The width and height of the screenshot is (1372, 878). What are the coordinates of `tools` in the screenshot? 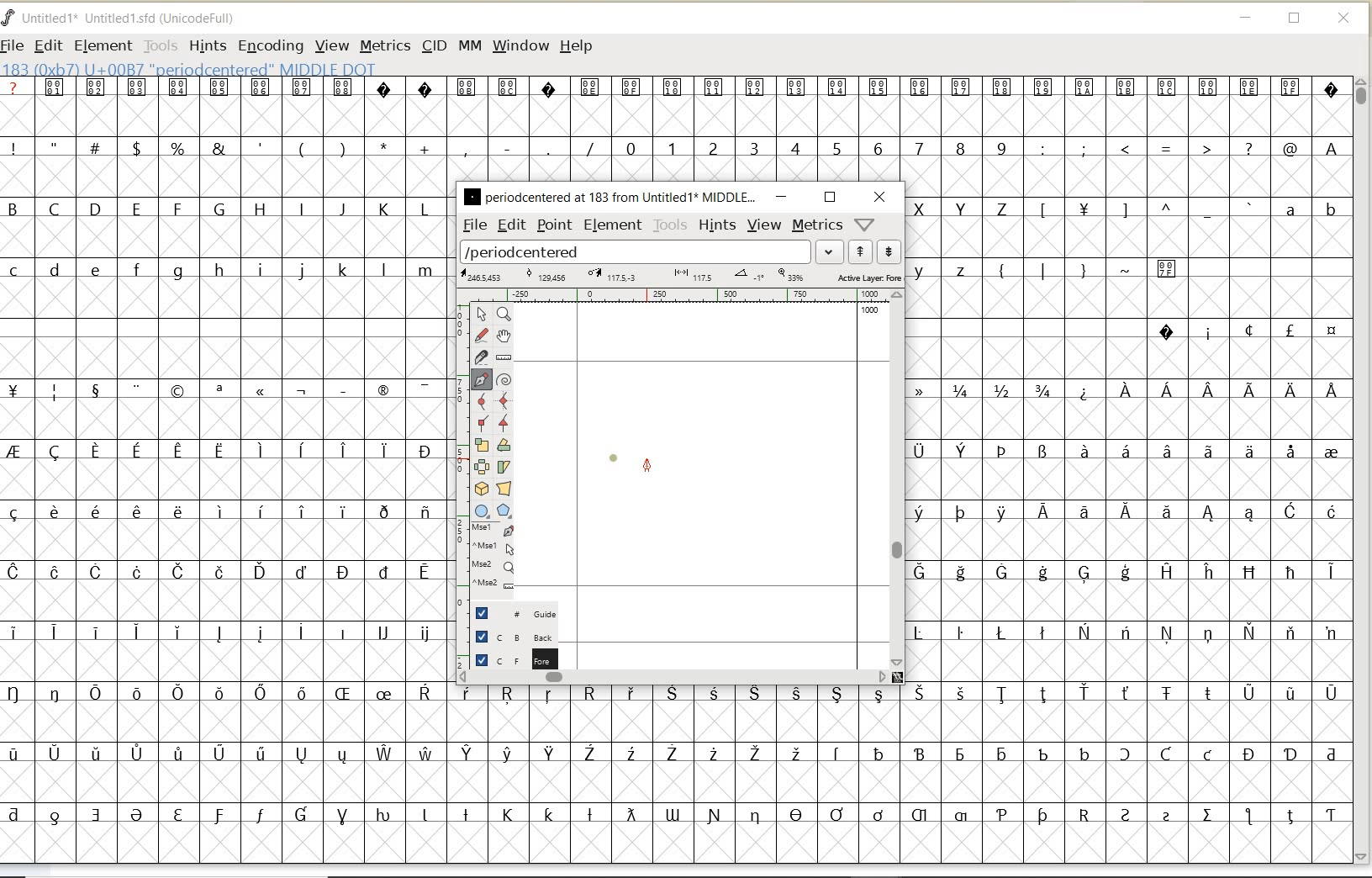 It's located at (670, 225).